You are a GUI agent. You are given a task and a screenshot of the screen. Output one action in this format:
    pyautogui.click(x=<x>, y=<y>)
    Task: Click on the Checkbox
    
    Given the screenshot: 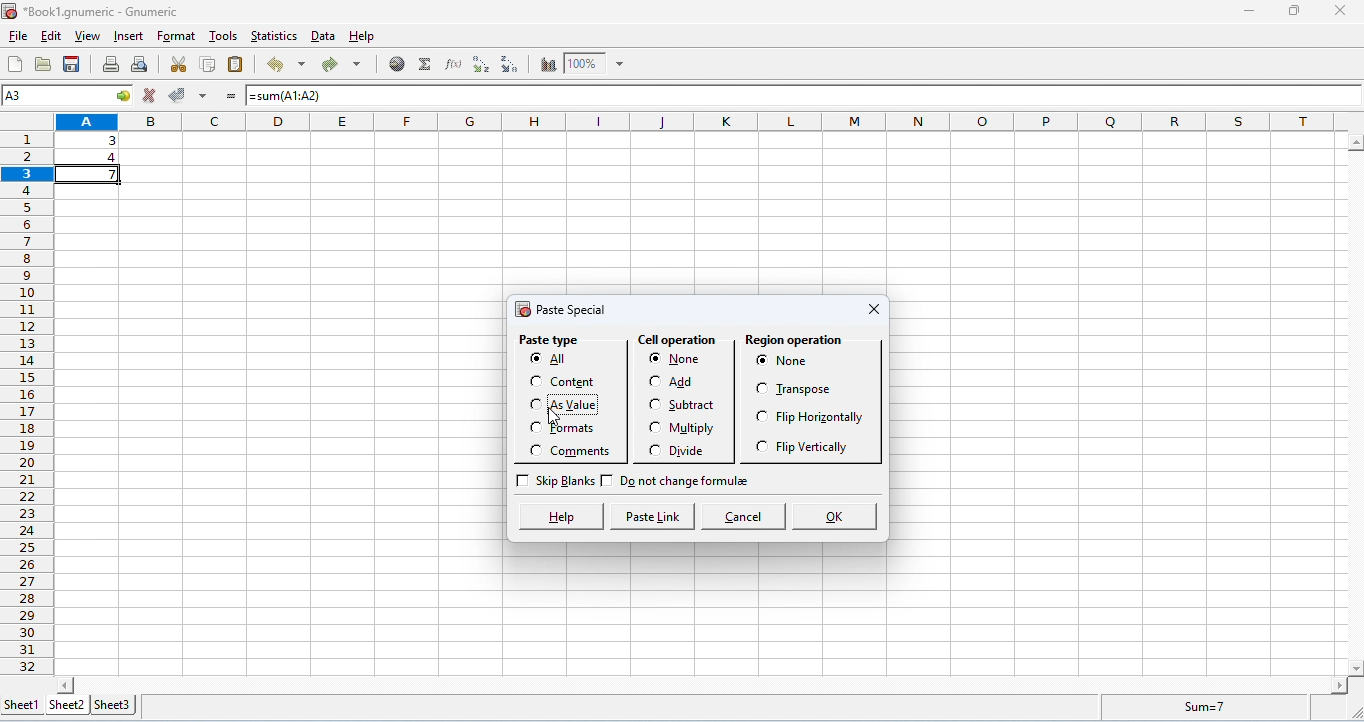 What is the action you would take?
    pyautogui.click(x=757, y=447)
    